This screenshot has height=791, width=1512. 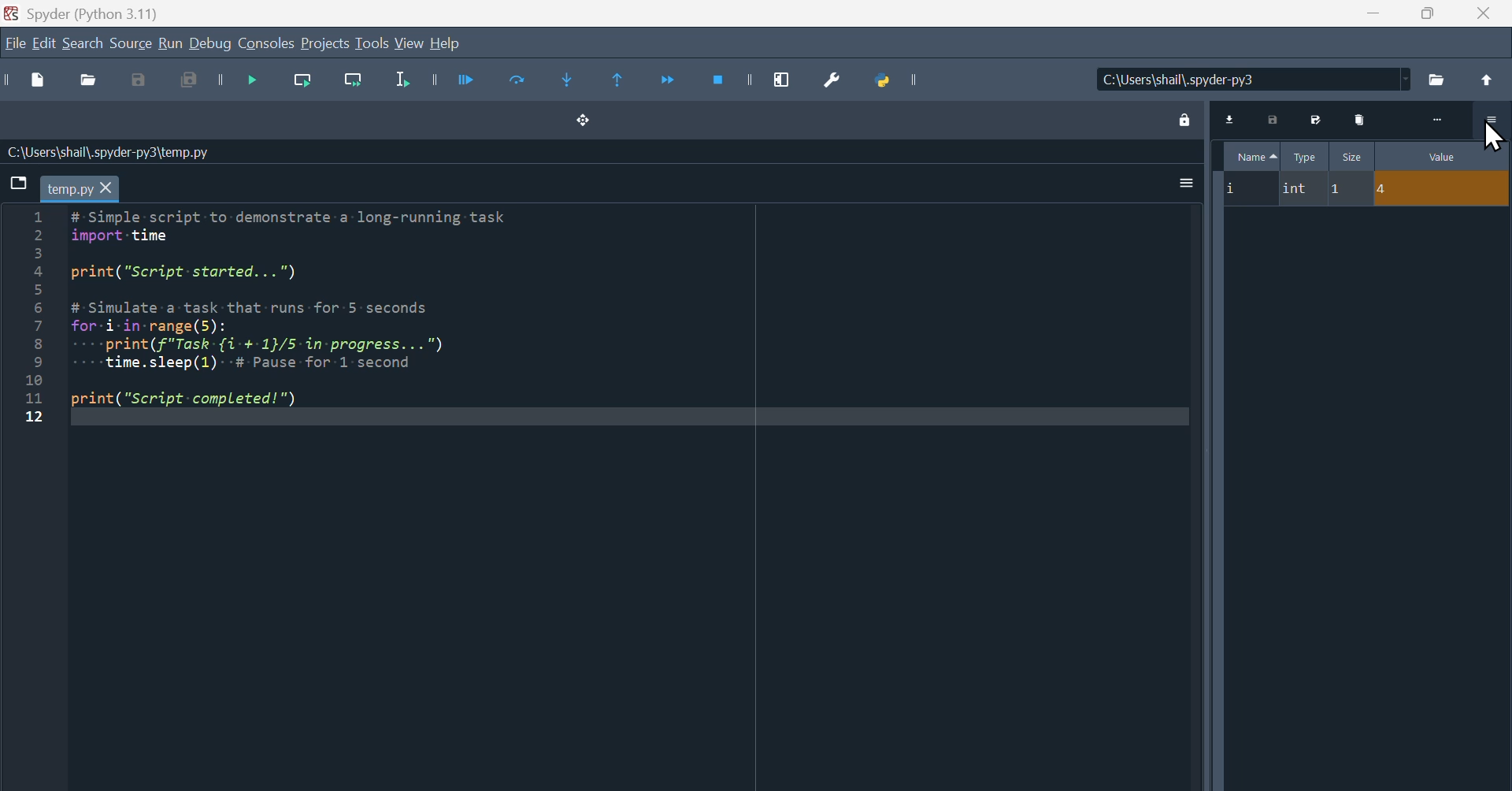 What do you see at coordinates (584, 121) in the screenshot?
I see `Drag handle` at bounding box center [584, 121].